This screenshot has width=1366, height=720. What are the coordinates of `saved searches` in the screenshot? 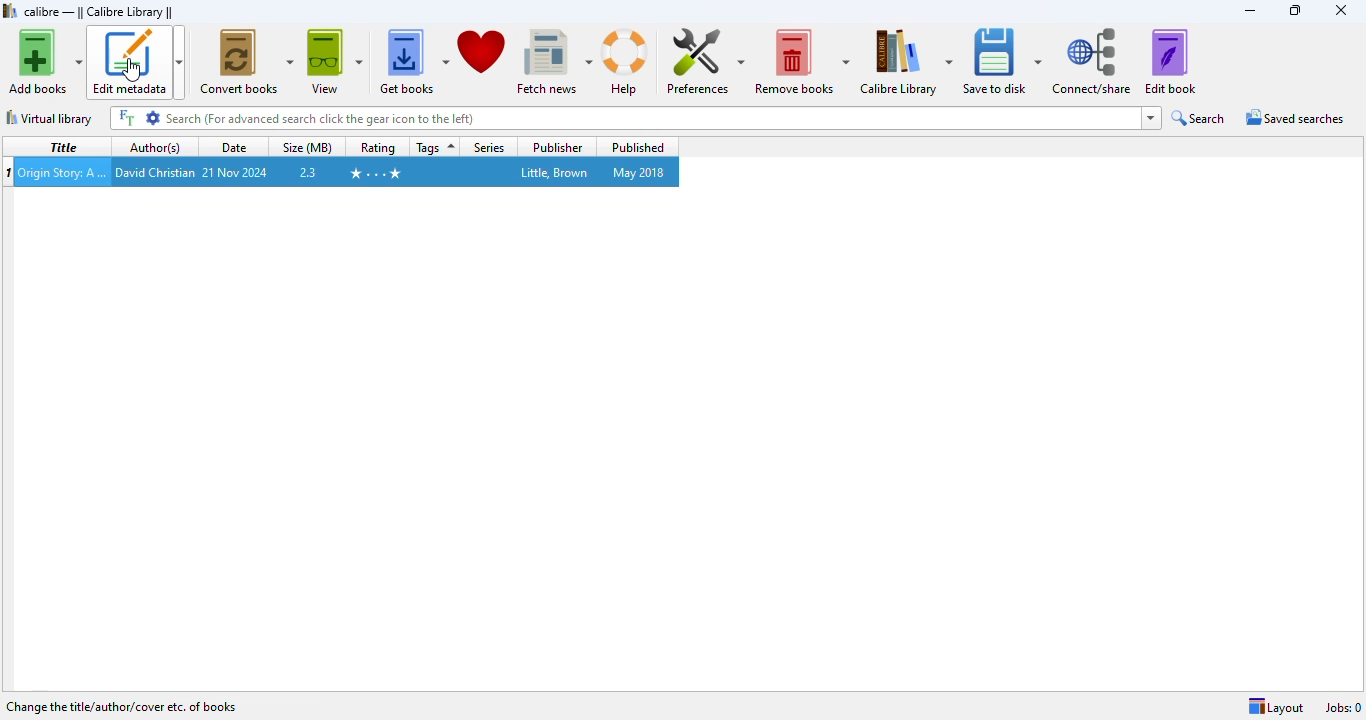 It's located at (1296, 117).